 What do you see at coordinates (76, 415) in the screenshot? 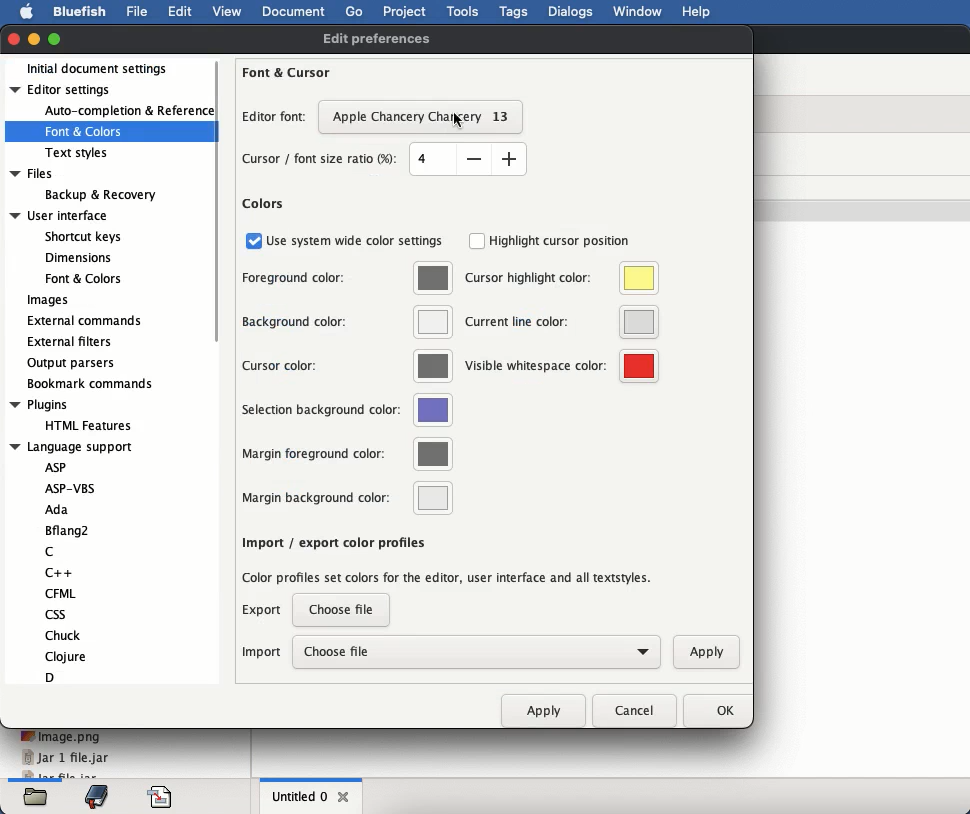
I see `plugins ` at bounding box center [76, 415].